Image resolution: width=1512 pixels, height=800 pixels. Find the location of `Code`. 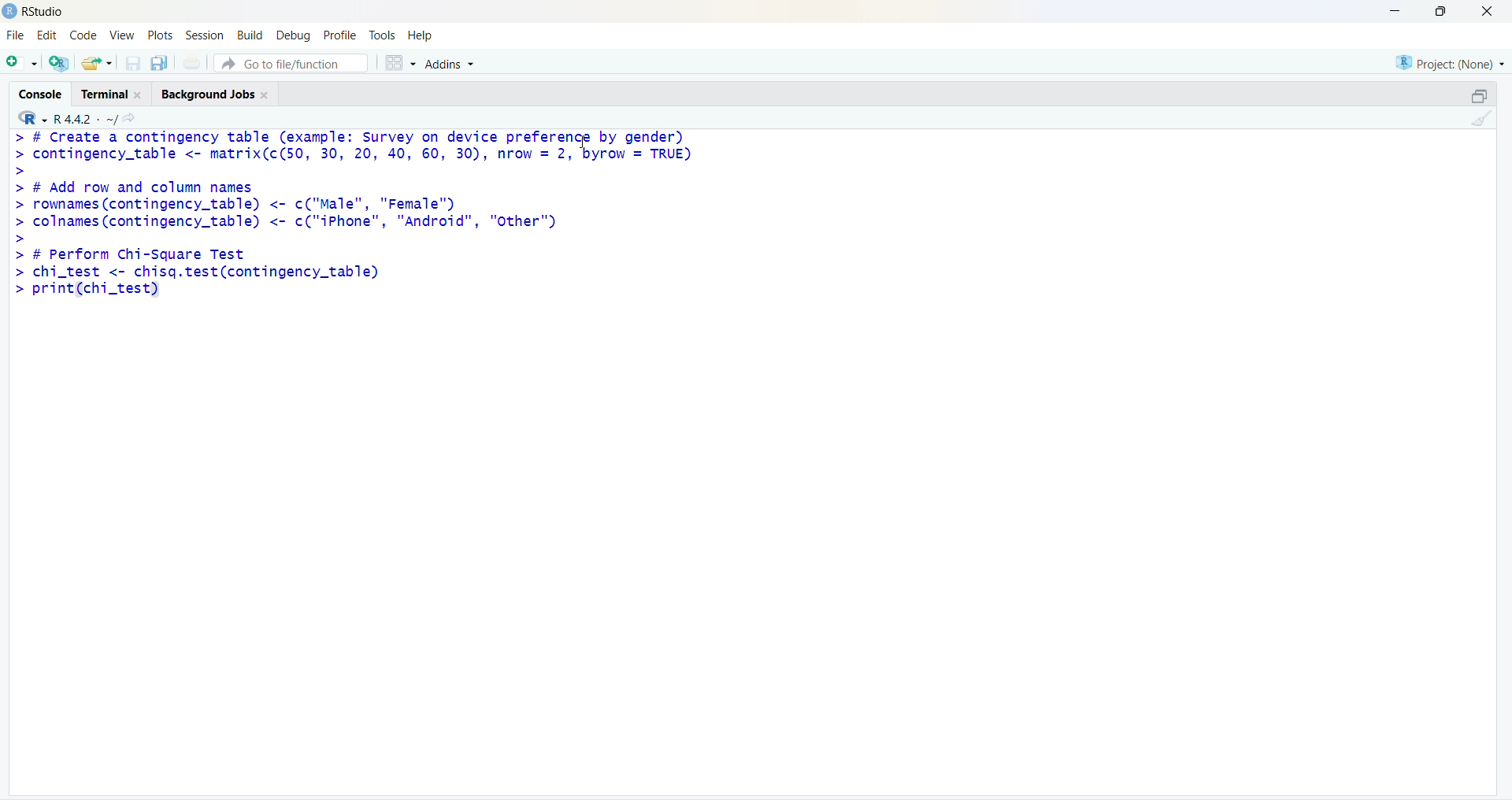

Code is located at coordinates (83, 35).